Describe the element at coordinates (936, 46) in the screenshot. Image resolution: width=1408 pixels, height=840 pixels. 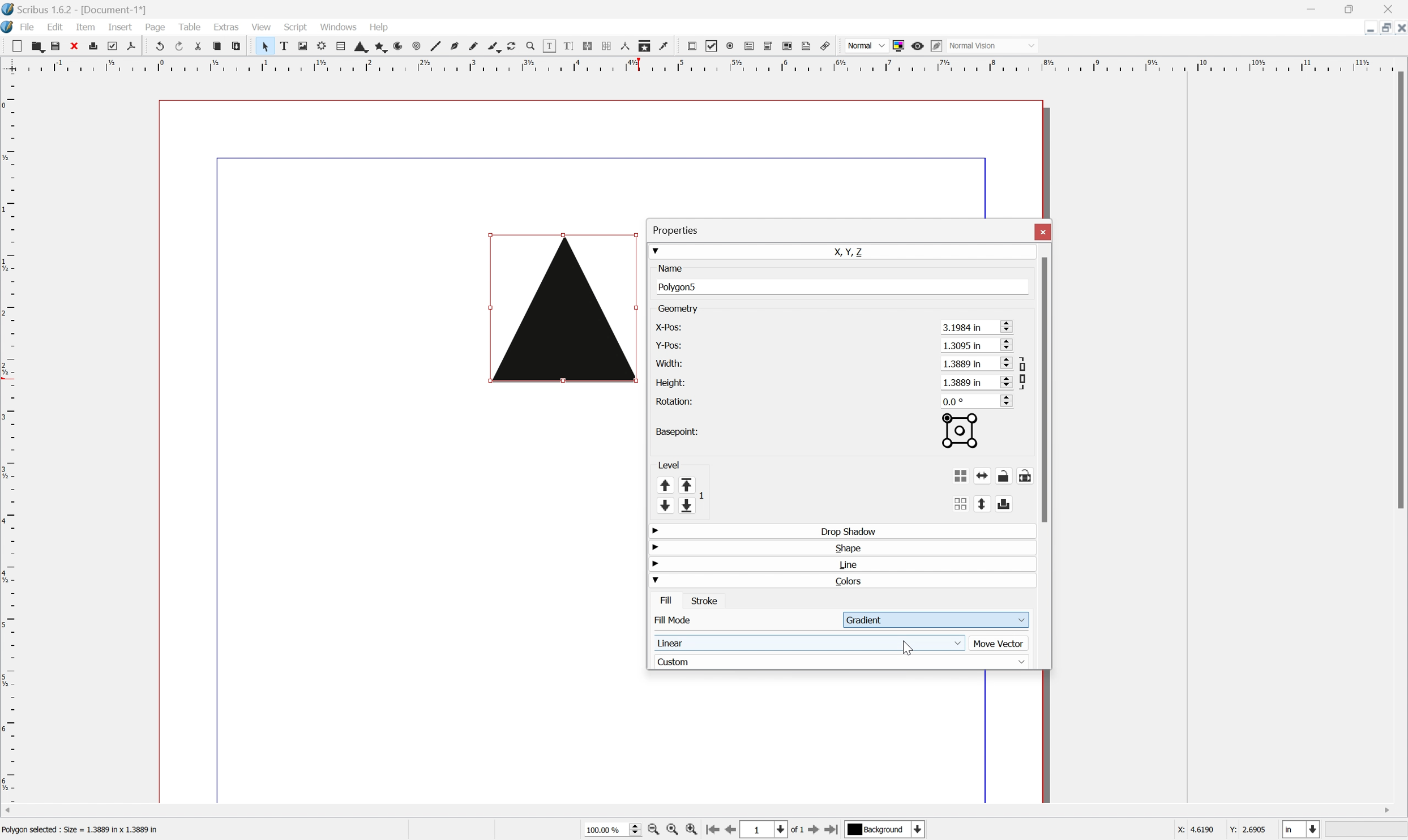
I see `Edit in preview mode` at that location.